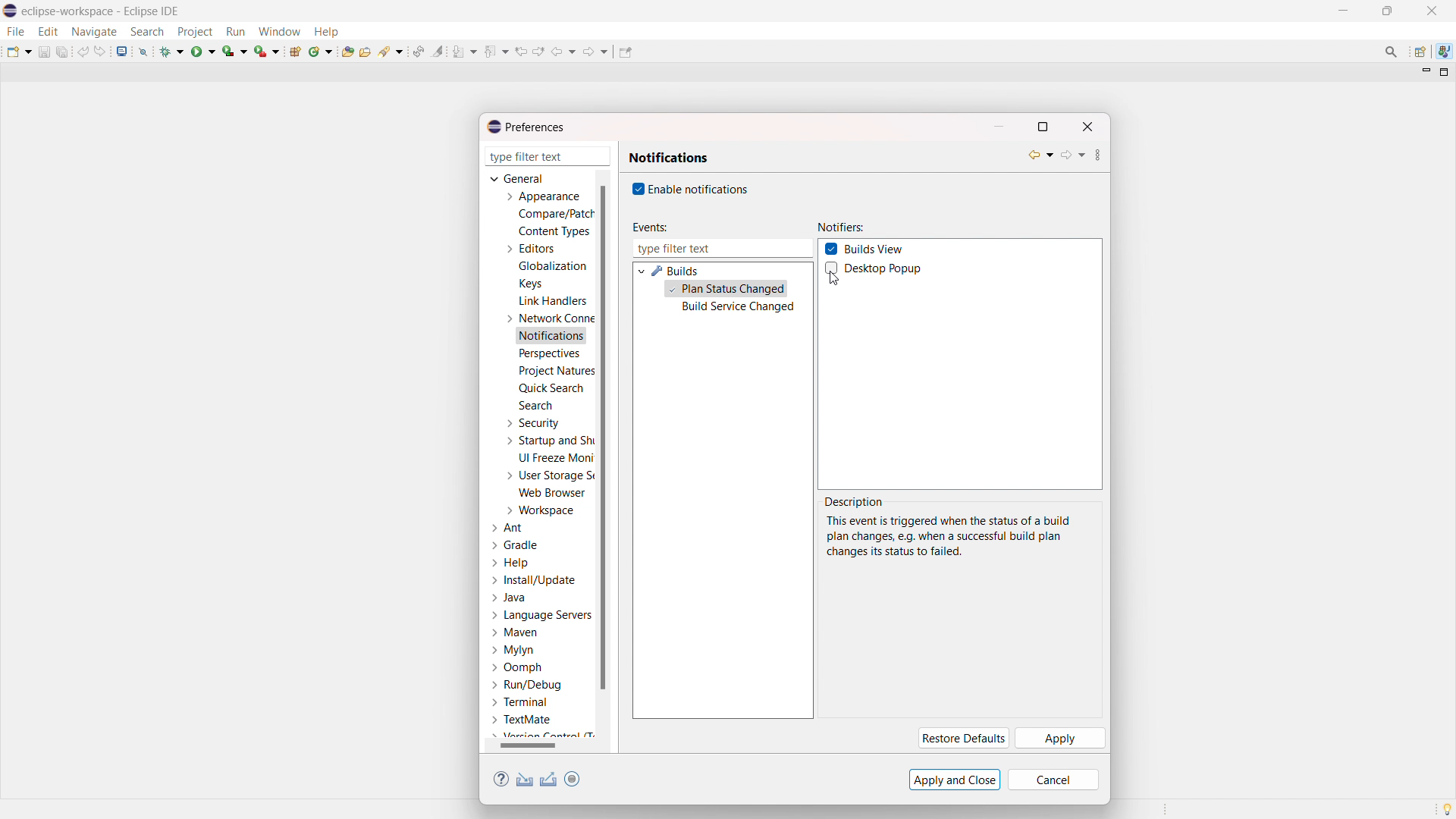  I want to click on logo, so click(11, 11).